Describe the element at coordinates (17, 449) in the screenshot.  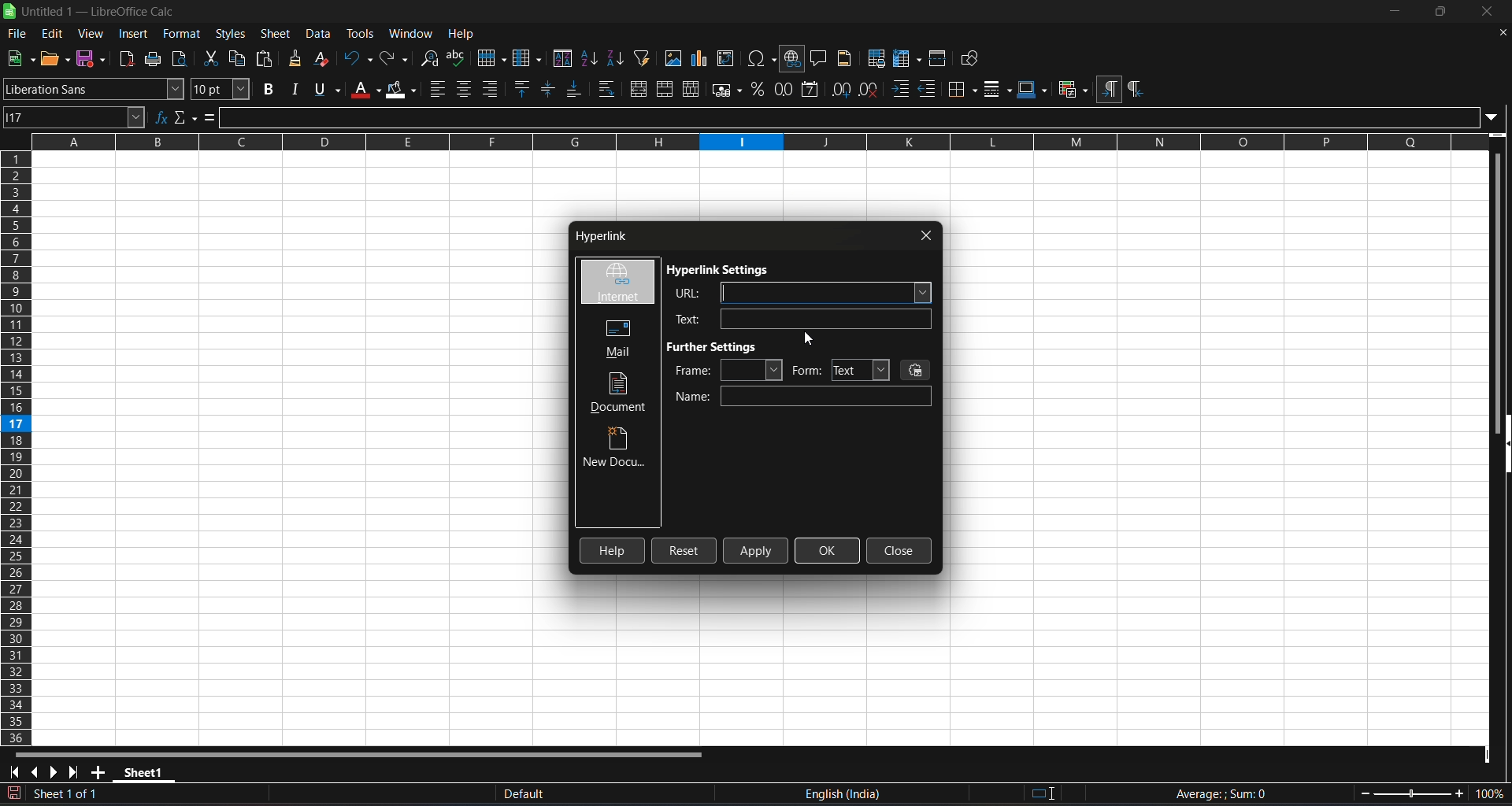
I see `columns` at that location.